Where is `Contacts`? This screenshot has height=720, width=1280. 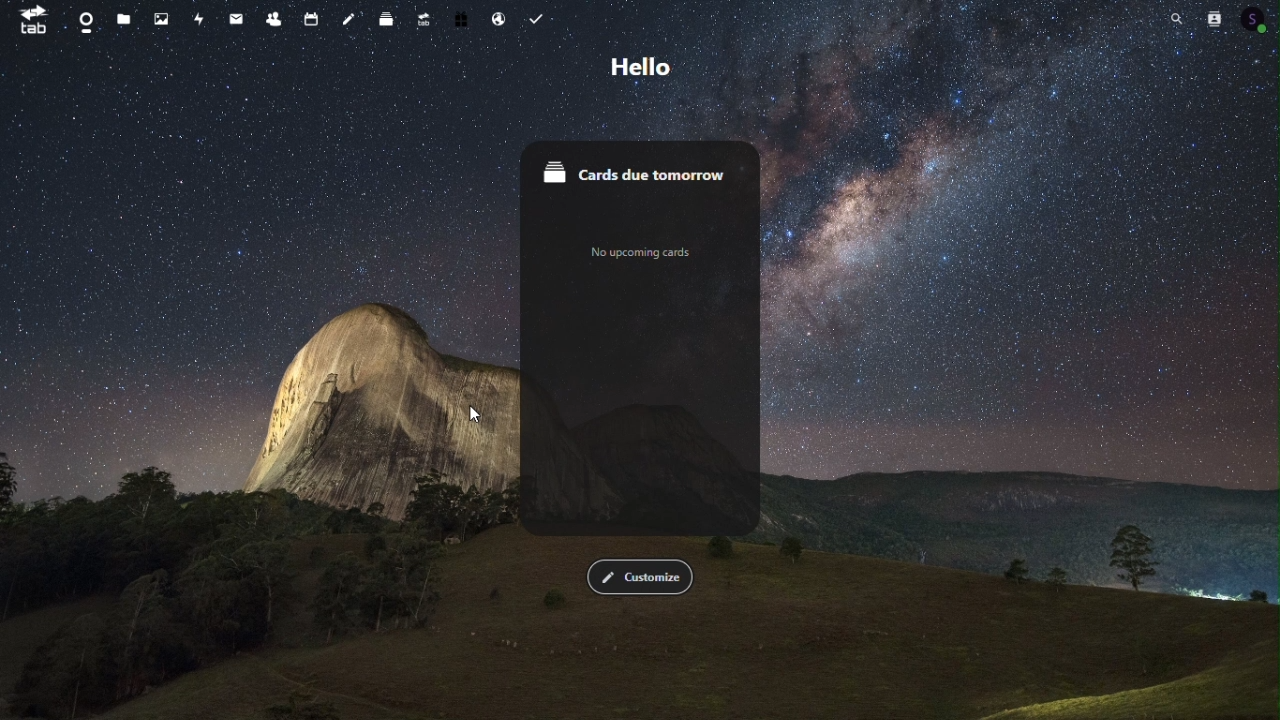 Contacts is located at coordinates (272, 18).